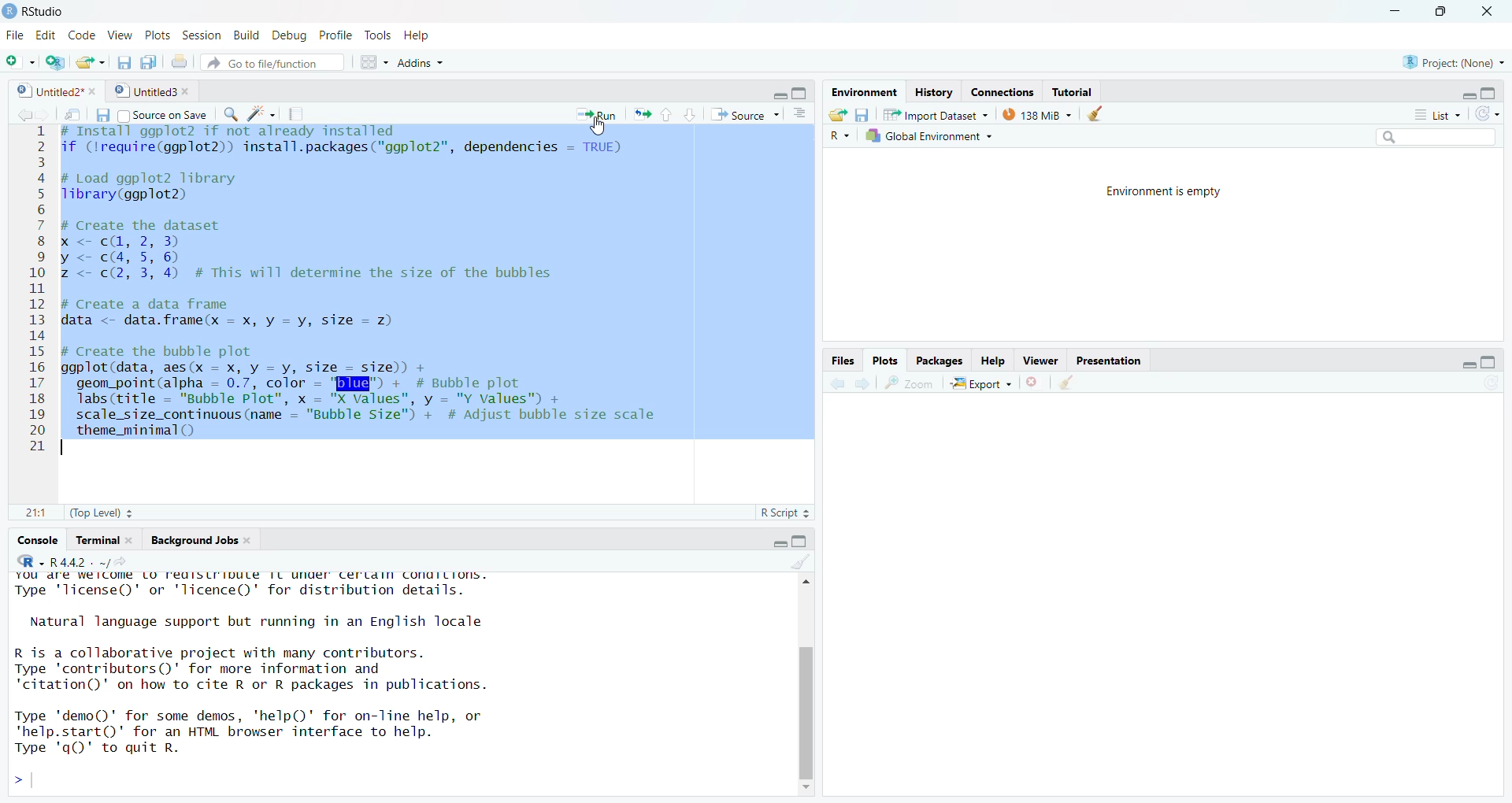 The height and width of the screenshot is (803, 1512). Describe the element at coordinates (1457, 61) in the screenshot. I see ` project: (None) ` at that location.